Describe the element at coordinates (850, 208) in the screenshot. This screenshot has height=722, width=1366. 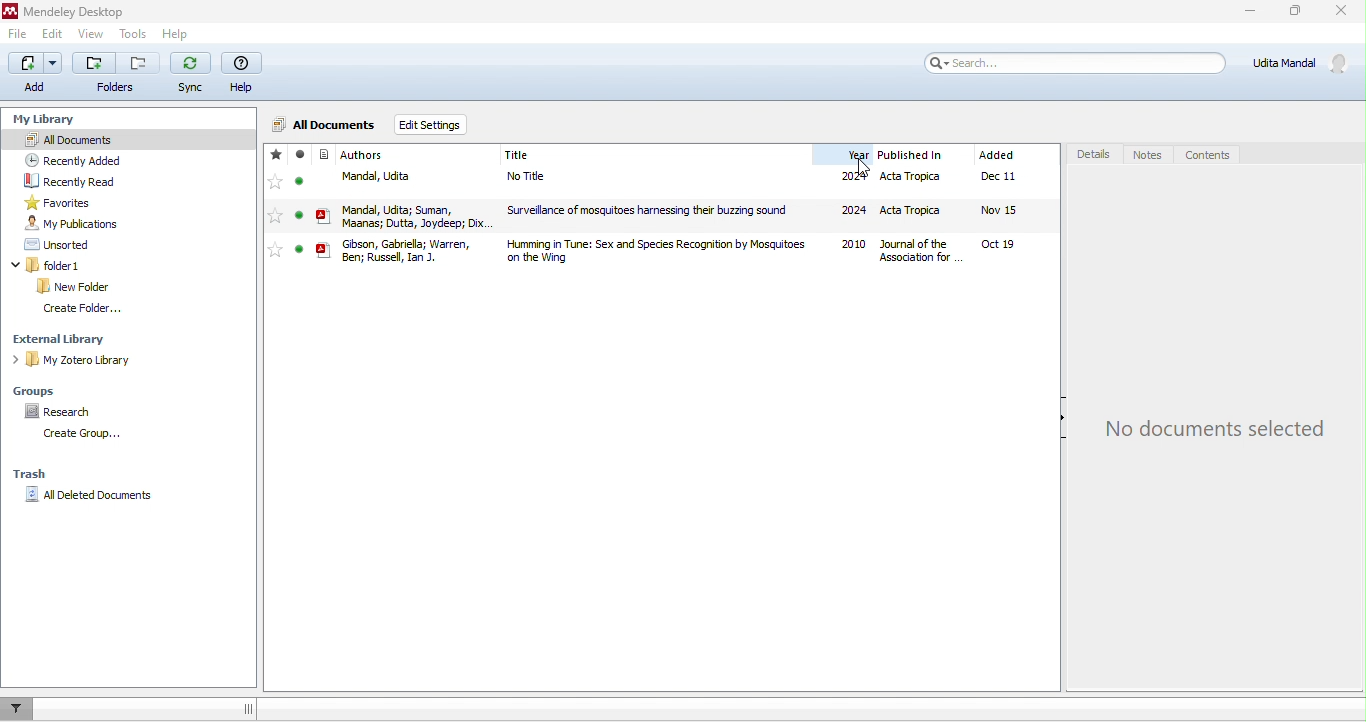
I see `year` at that location.